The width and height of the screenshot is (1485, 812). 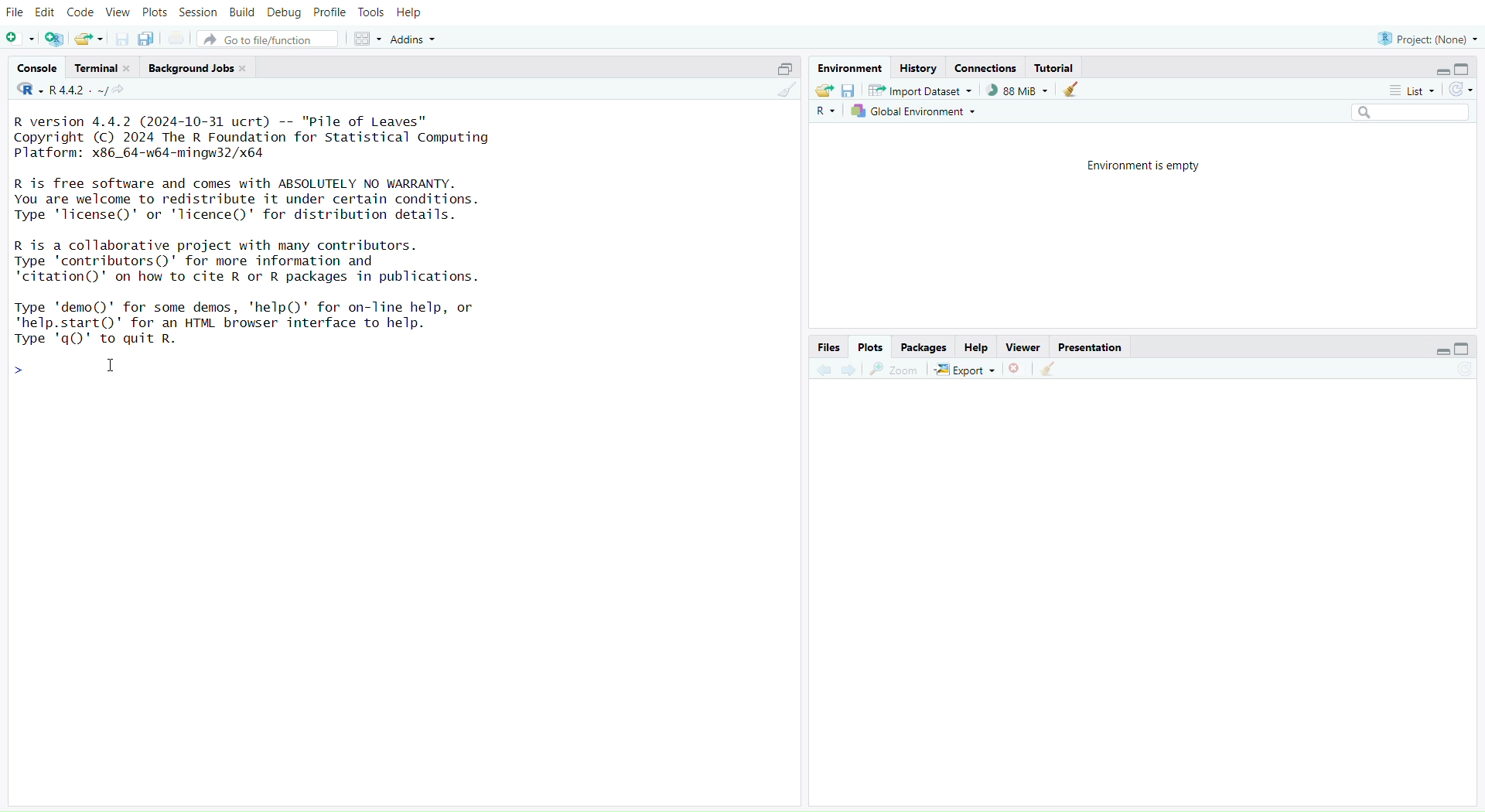 I want to click on session, so click(x=198, y=11).